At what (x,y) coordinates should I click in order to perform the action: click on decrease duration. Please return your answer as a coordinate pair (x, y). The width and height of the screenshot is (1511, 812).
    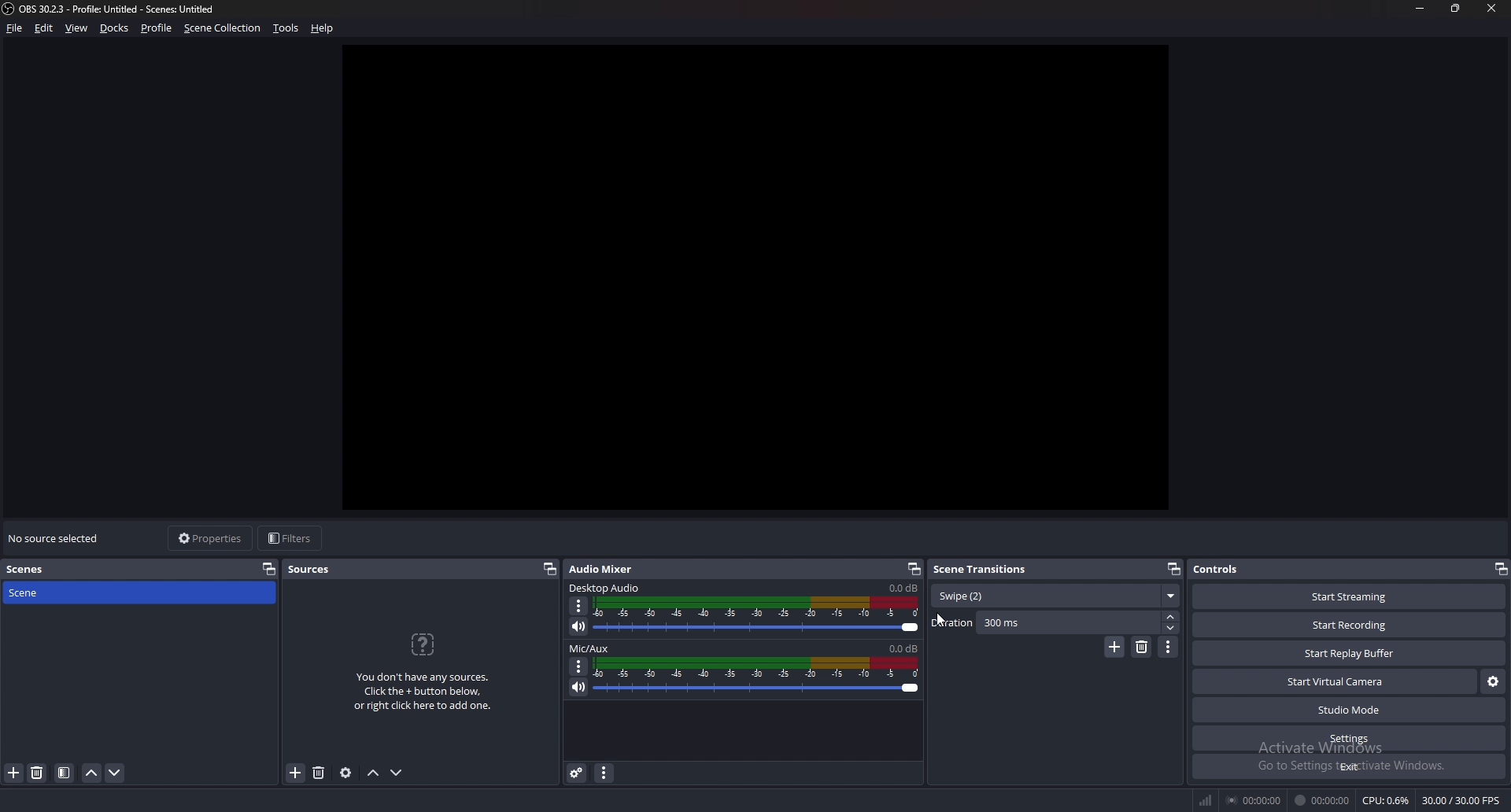
    Looking at the image, I should click on (1172, 628).